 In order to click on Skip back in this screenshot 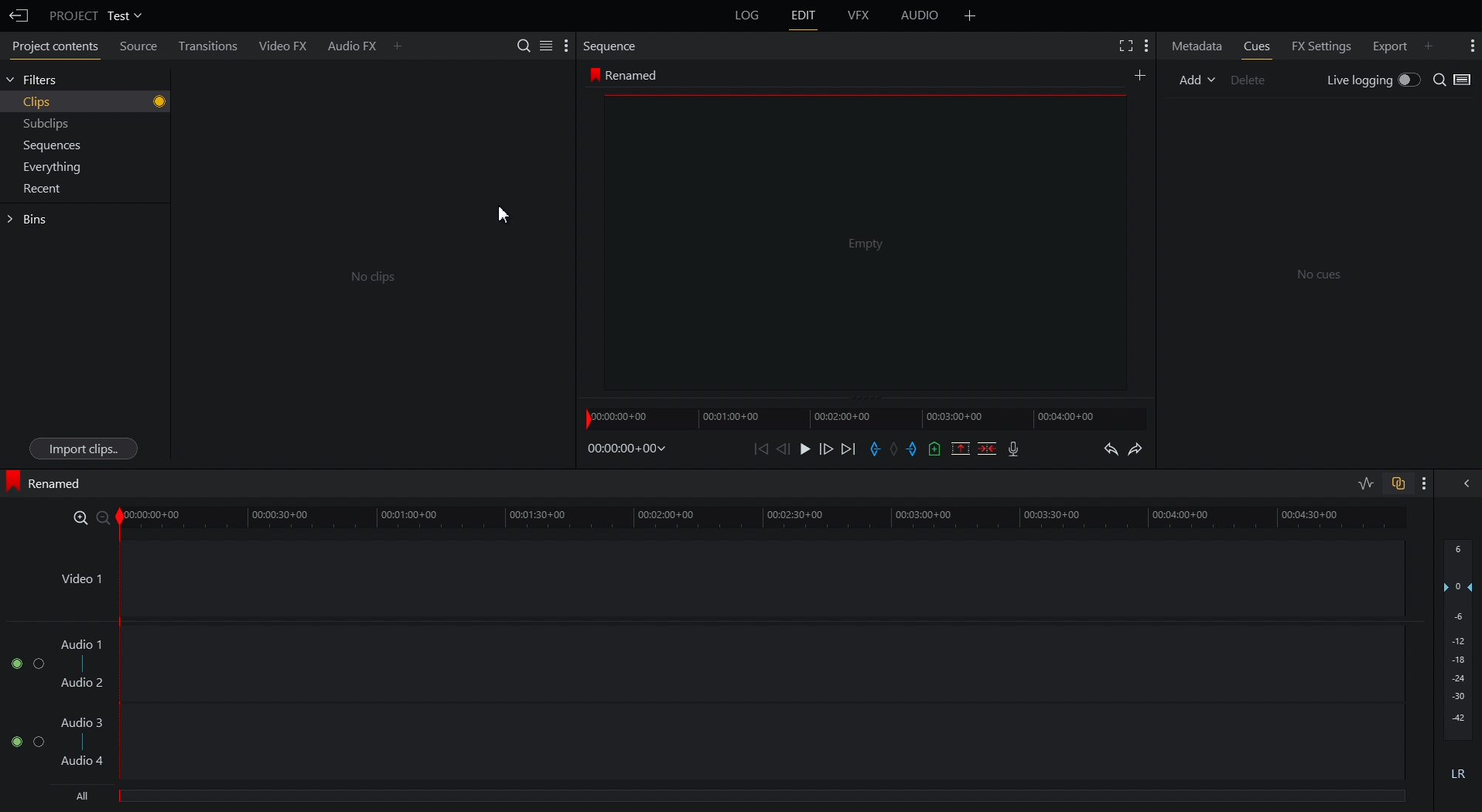, I will do `click(761, 450)`.